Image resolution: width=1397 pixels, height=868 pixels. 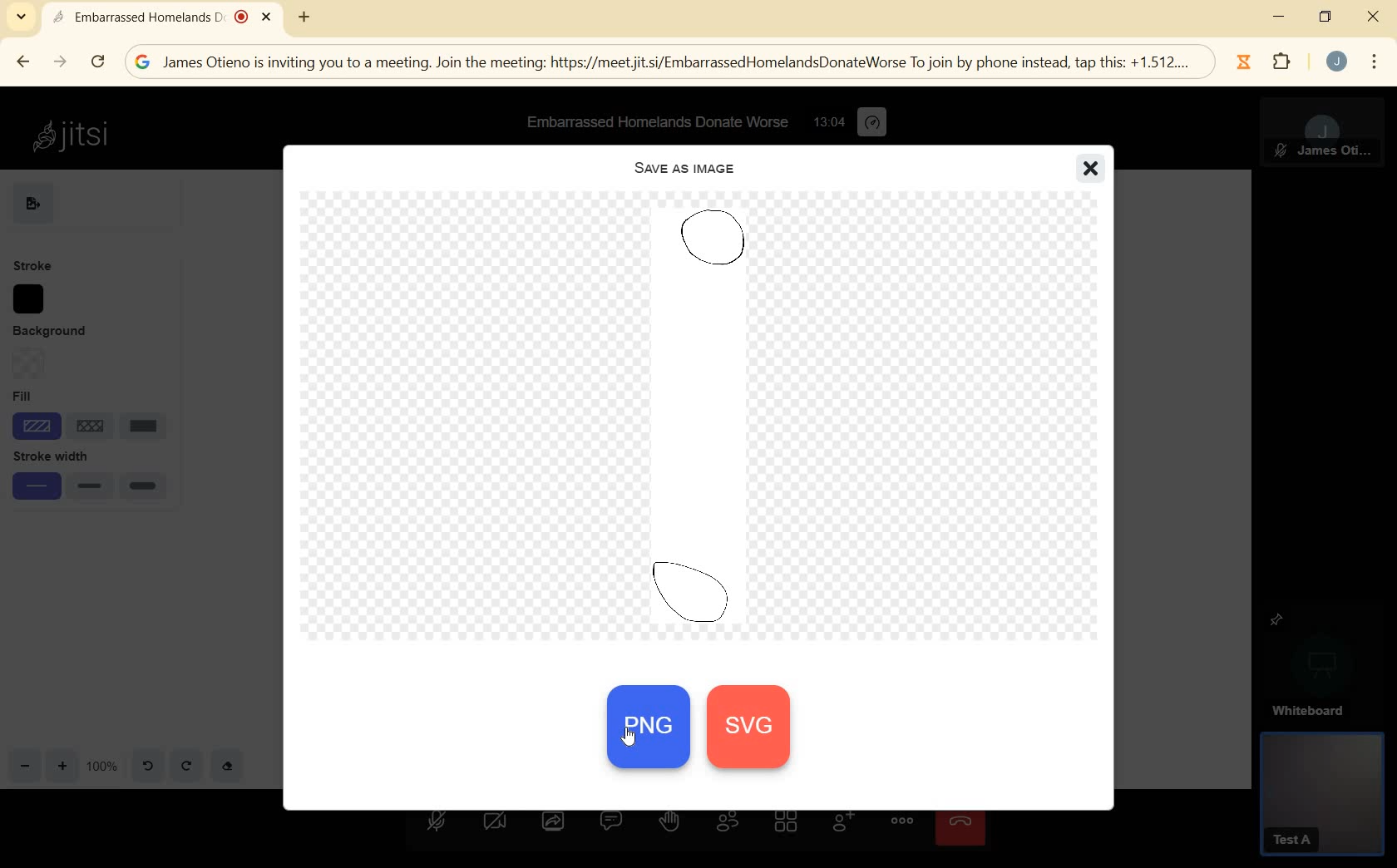 I want to click on stroke color, so click(x=33, y=300).